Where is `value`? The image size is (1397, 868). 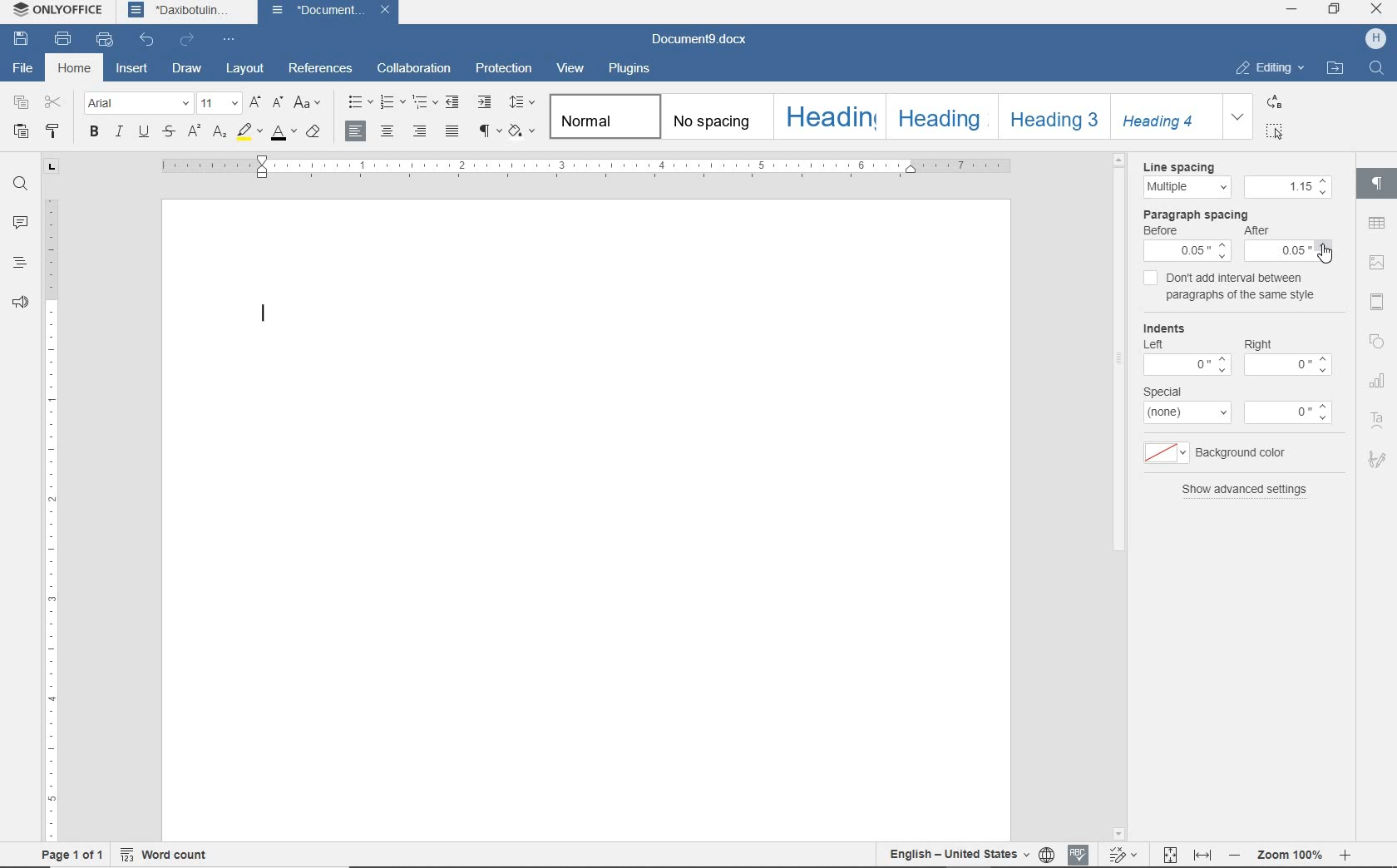 value is located at coordinates (1288, 413).